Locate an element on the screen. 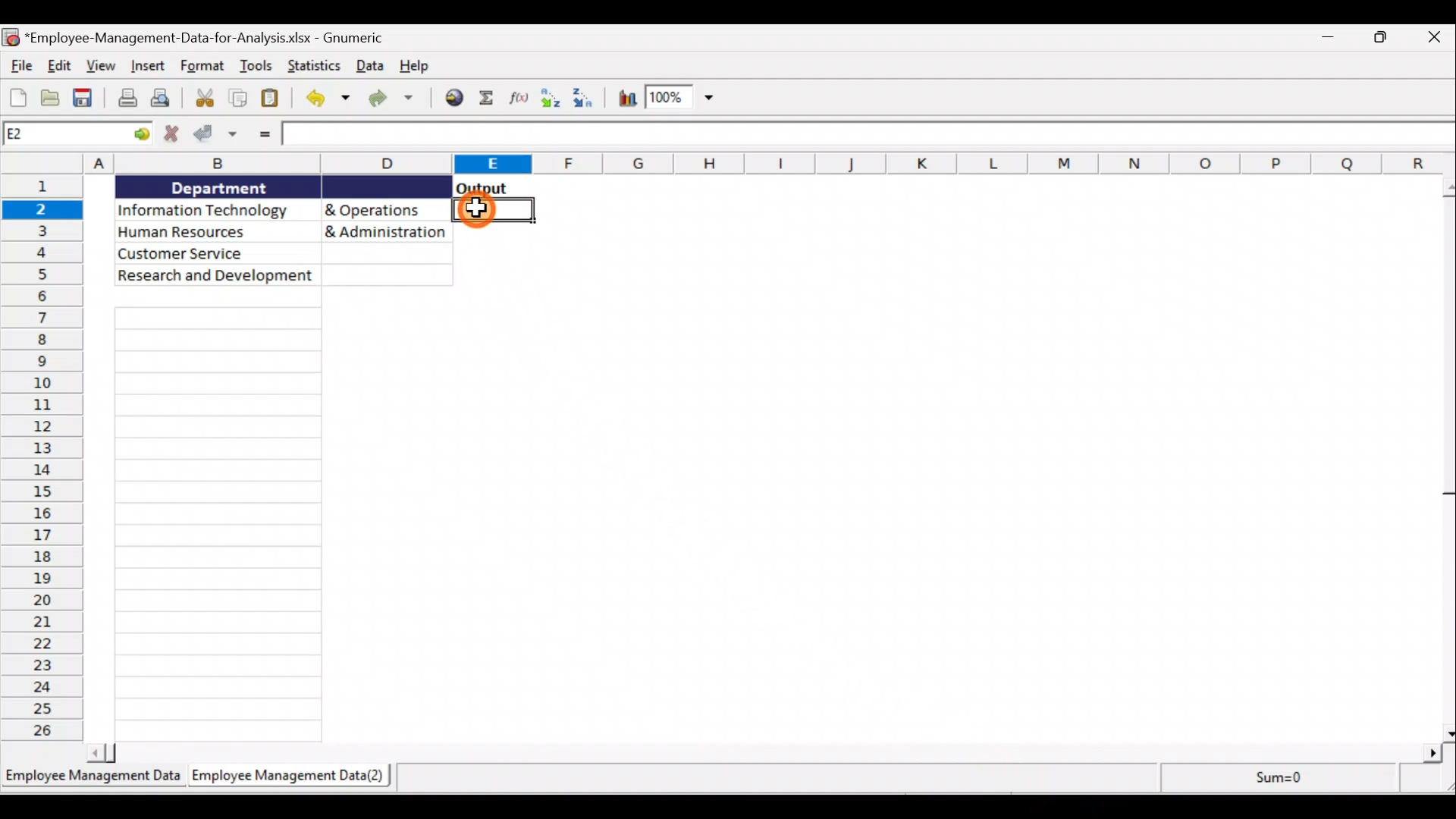 Image resolution: width=1456 pixels, height=819 pixels. Cancel change is located at coordinates (171, 136).